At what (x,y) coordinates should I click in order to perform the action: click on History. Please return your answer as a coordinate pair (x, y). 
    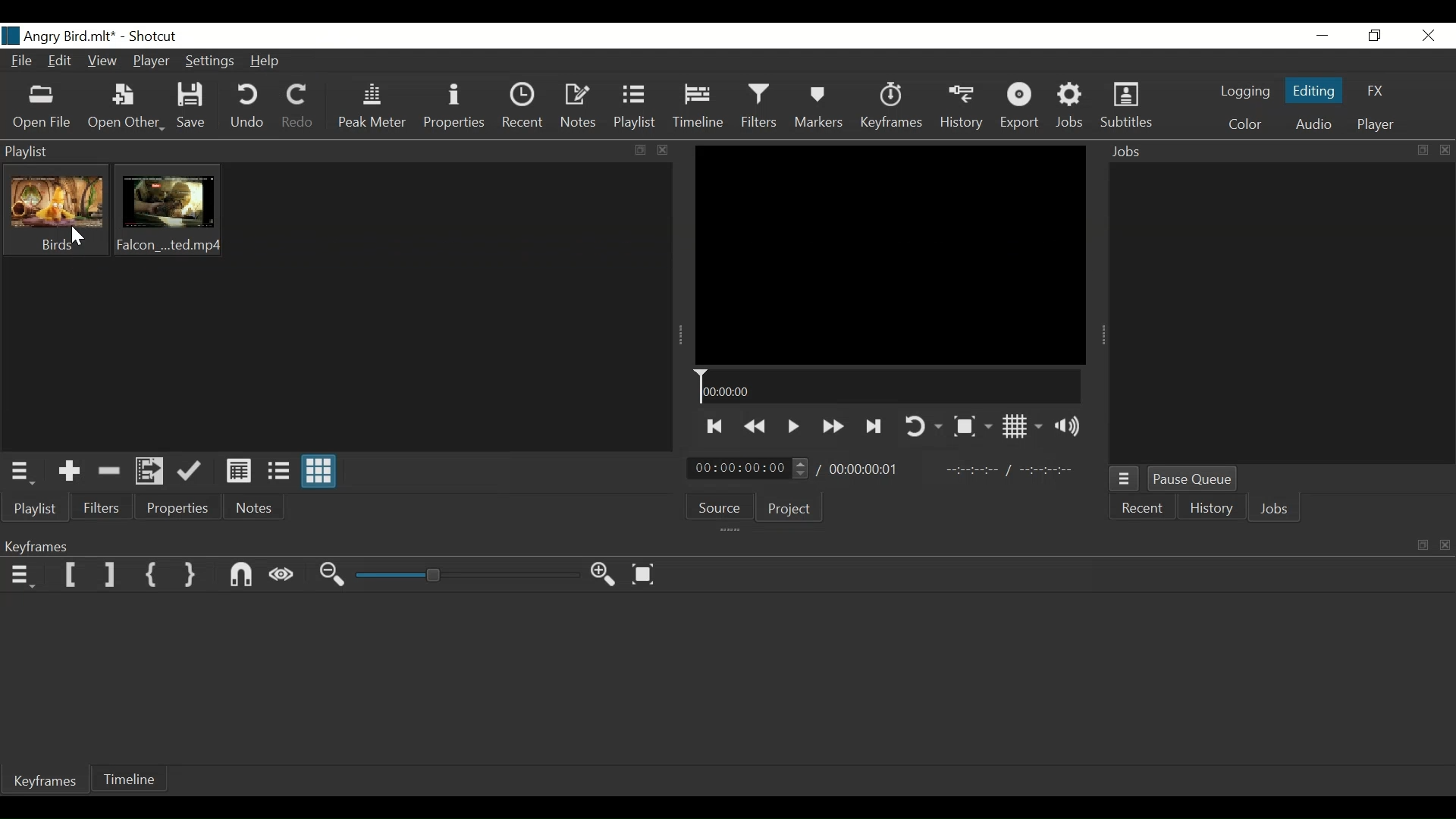
    Looking at the image, I should click on (961, 111).